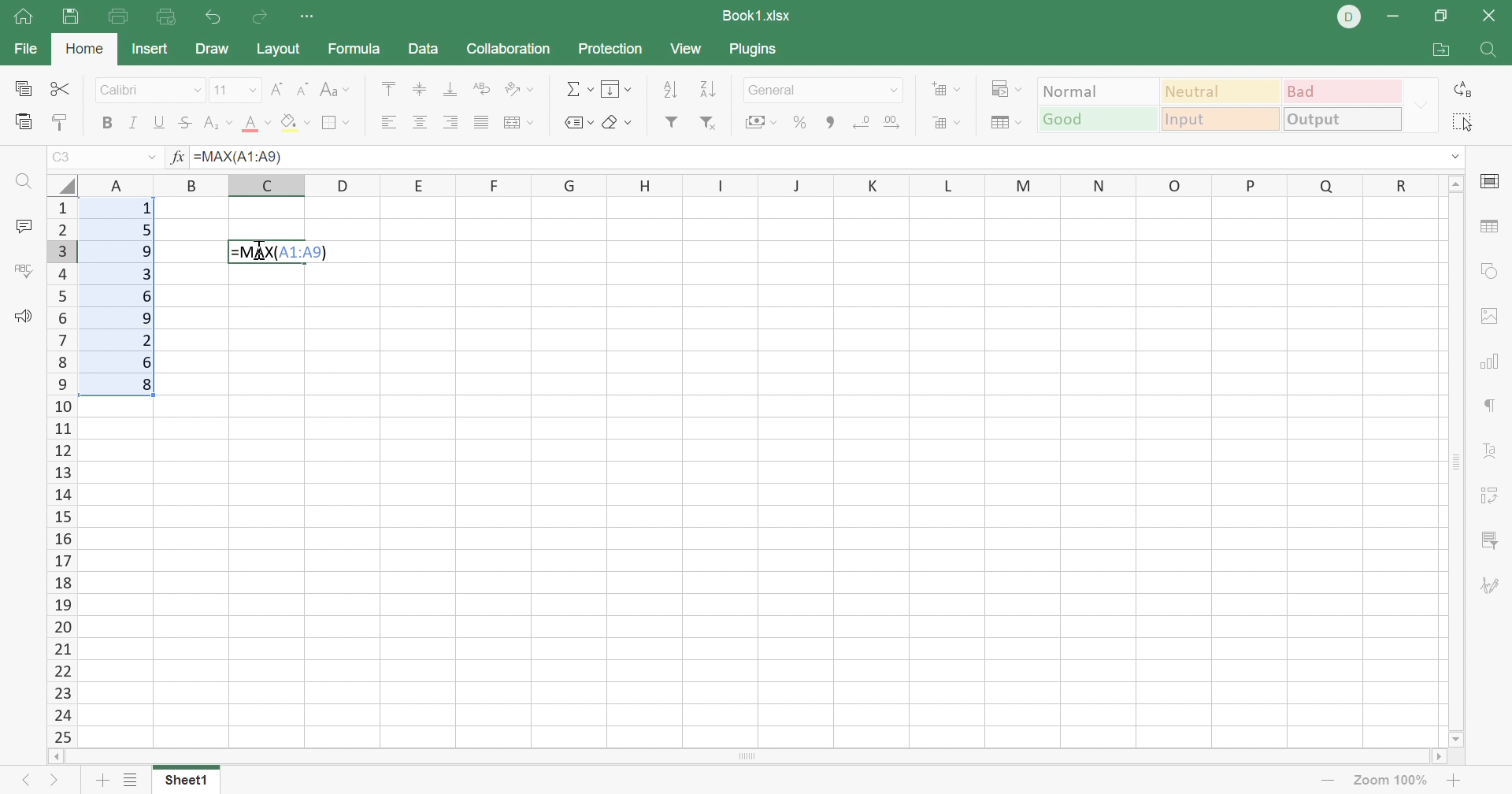 The image size is (1512, 794). Describe the element at coordinates (84, 50) in the screenshot. I see `Home` at that location.